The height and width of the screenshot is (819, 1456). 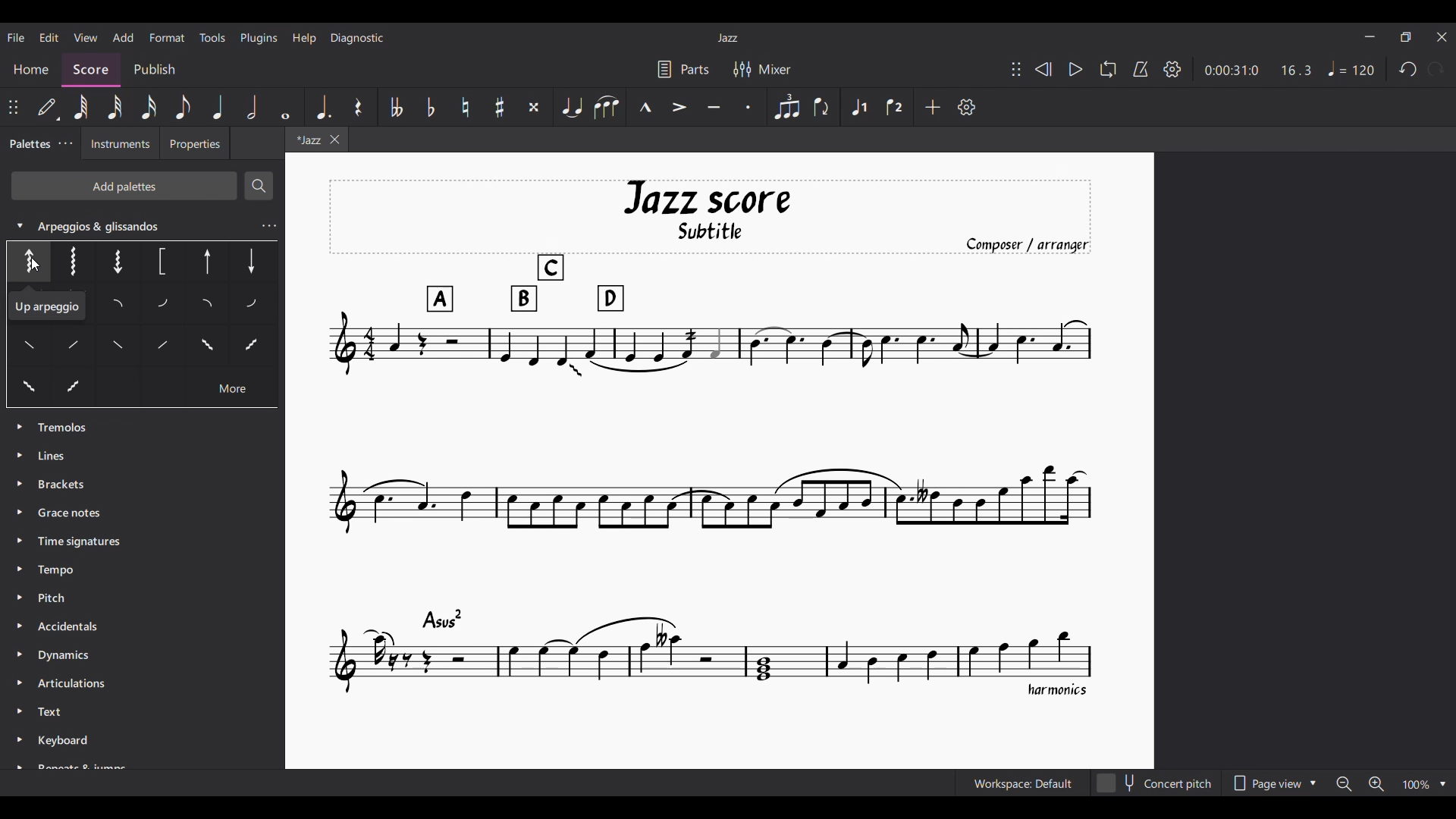 What do you see at coordinates (67, 261) in the screenshot?
I see `` at bounding box center [67, 261].